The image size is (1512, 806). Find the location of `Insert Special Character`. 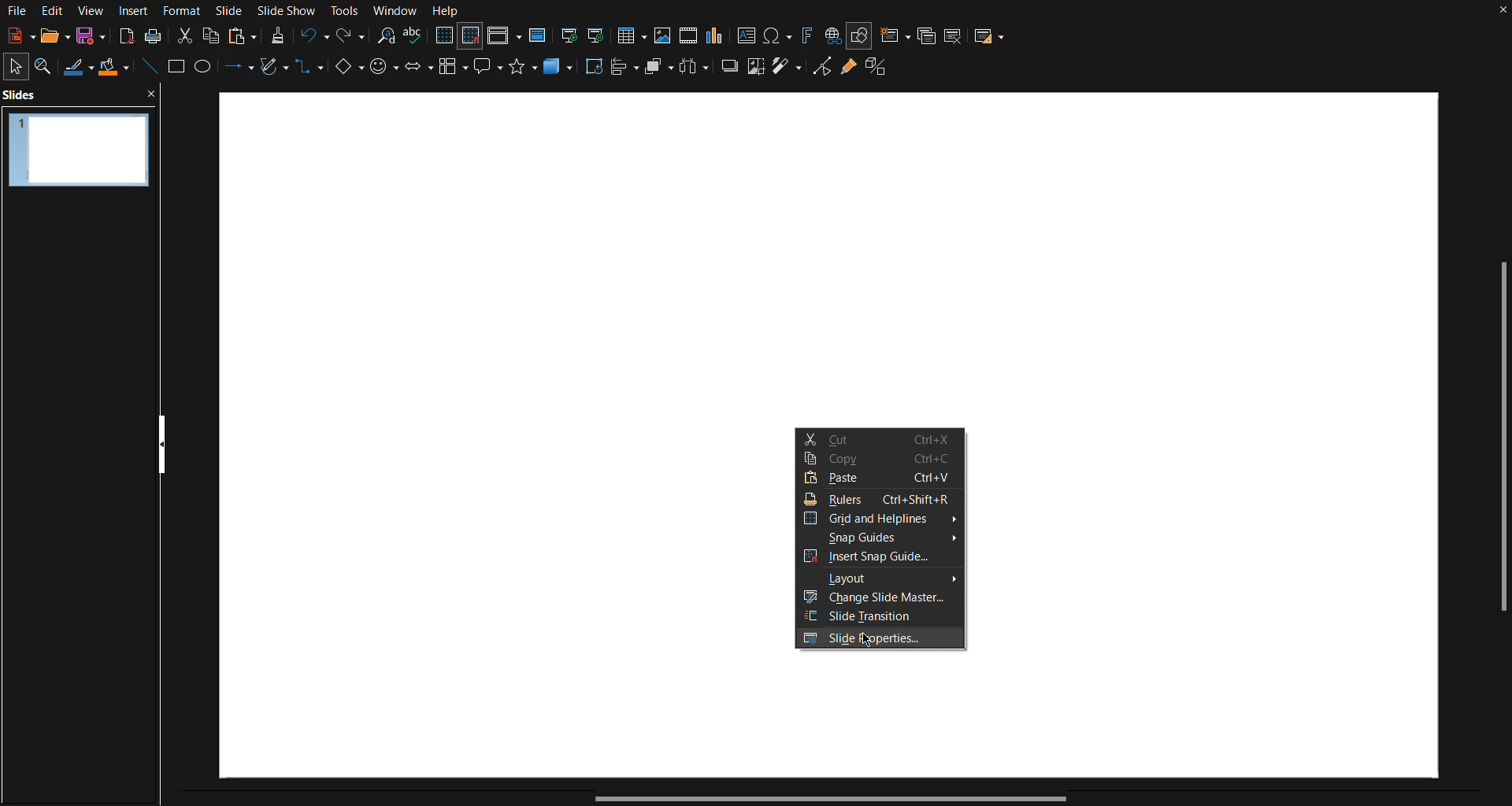

Insert Special Character is located at coordinates (779, 35).